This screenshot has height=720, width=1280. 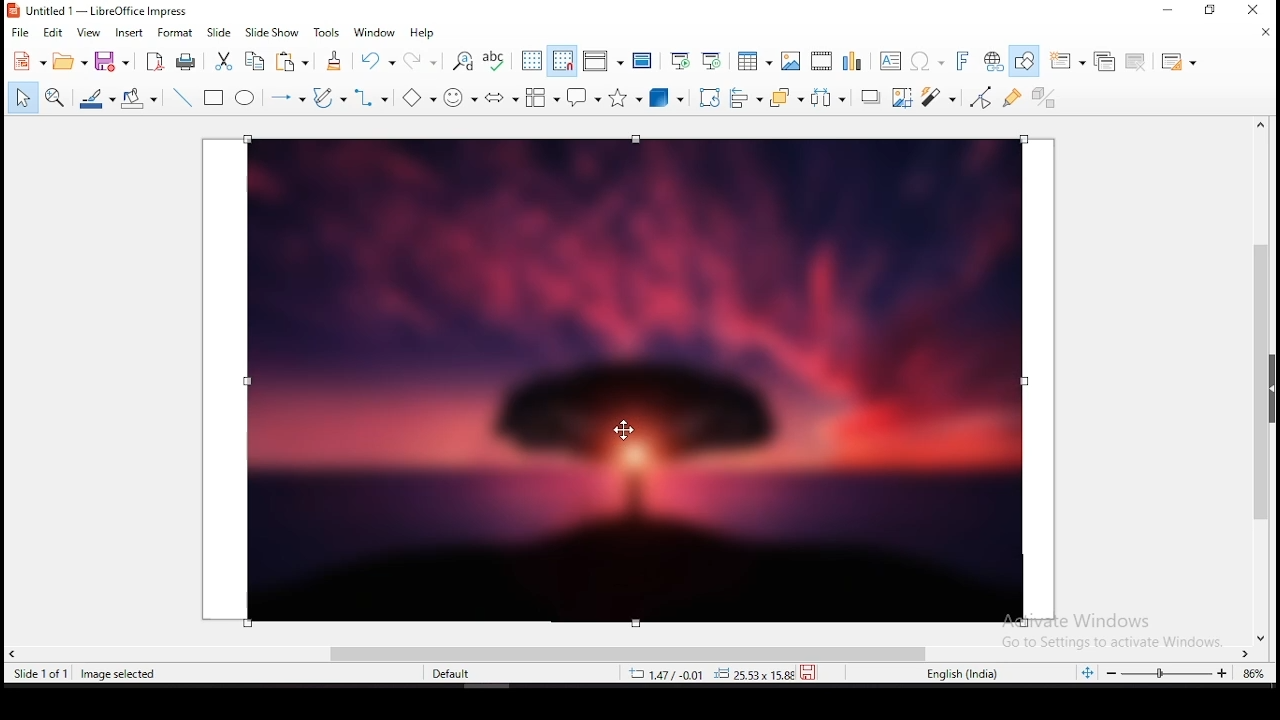 What do you see at coordinates (68, 62) in the screenshot?
I see `open` at bounding box center [68, 62].